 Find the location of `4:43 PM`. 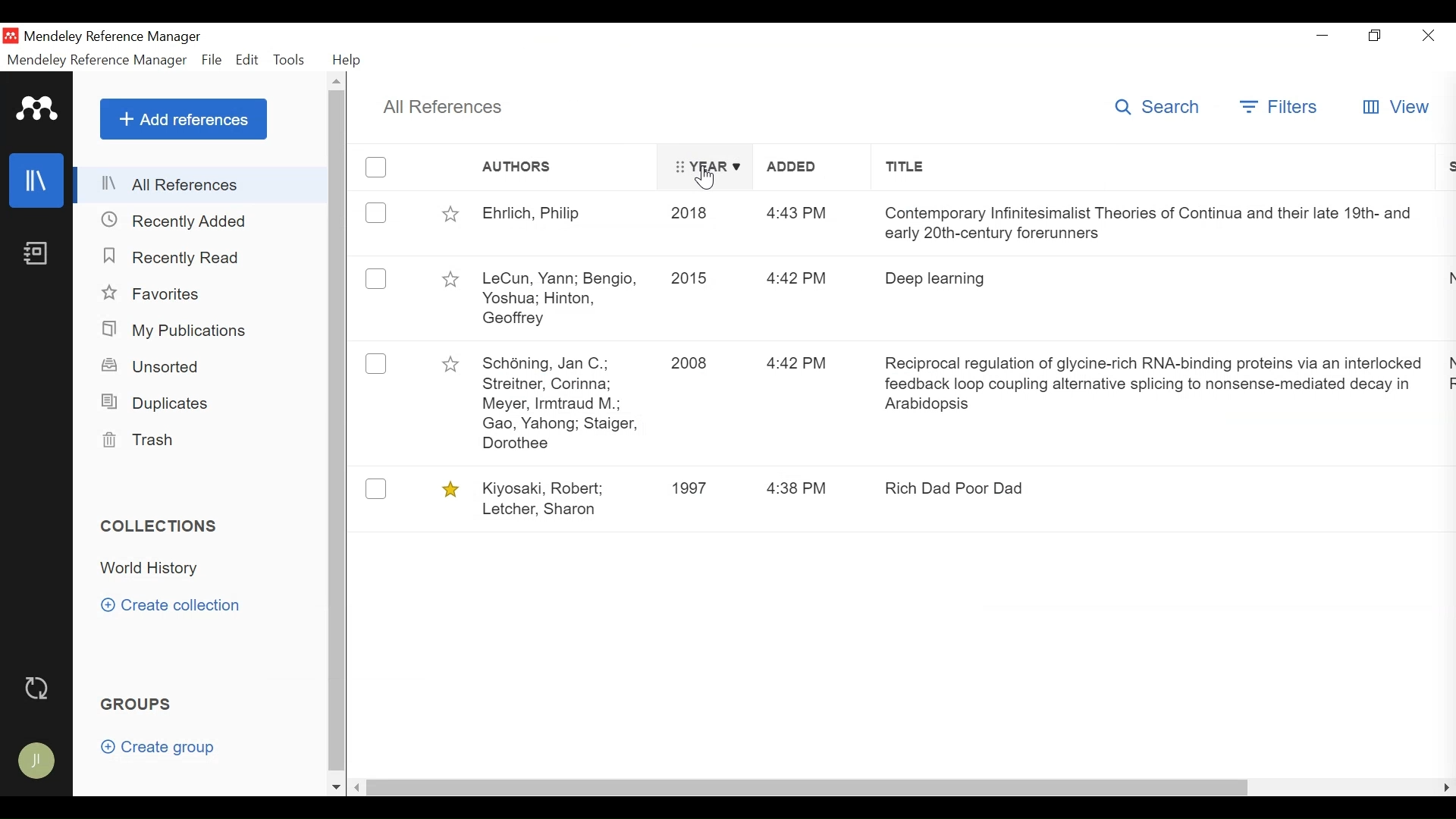

4:43 PM is located at coordinates (795, 215).